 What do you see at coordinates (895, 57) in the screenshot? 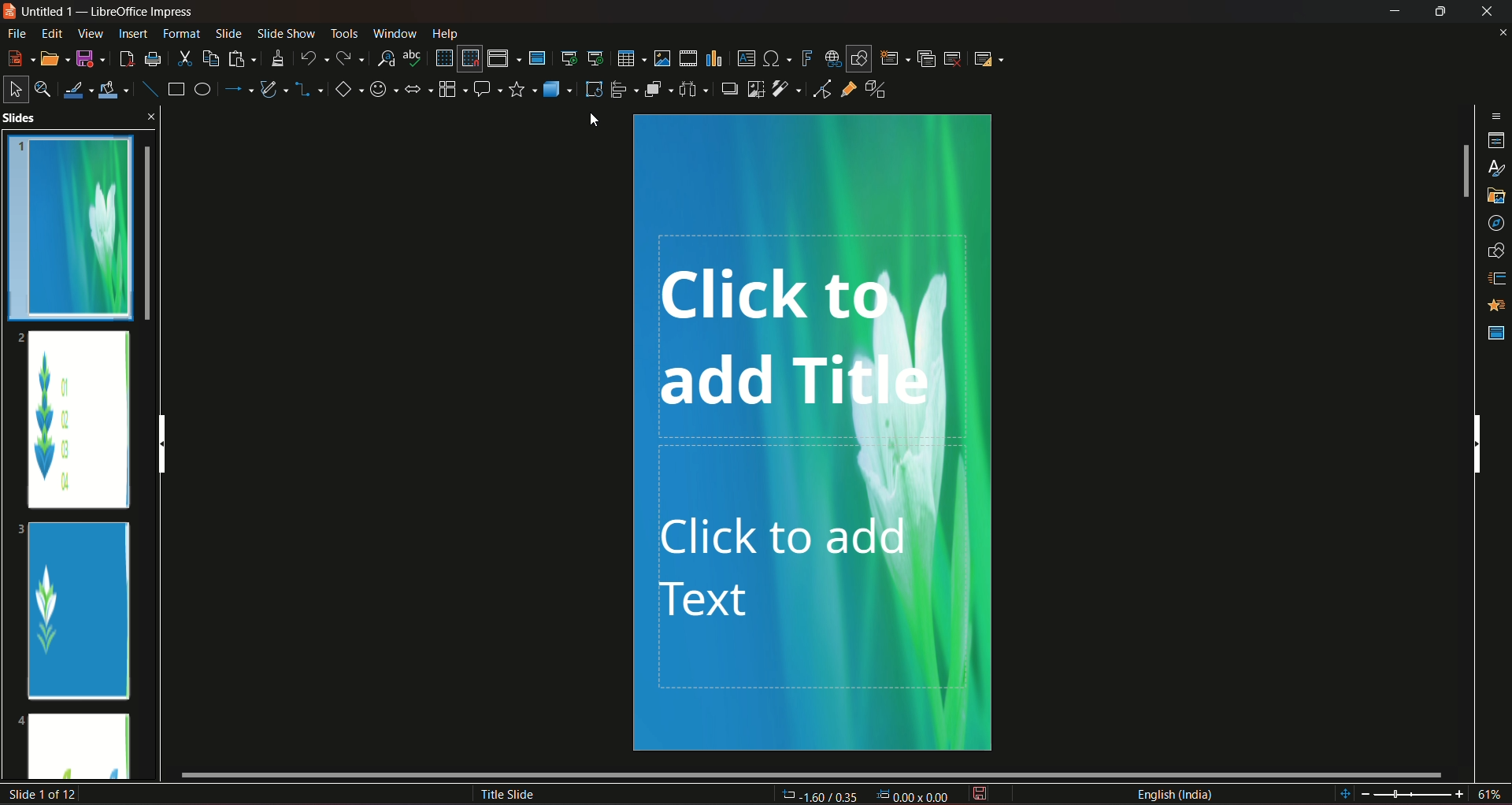
I see `new slide` at bounding box center [895, 57].